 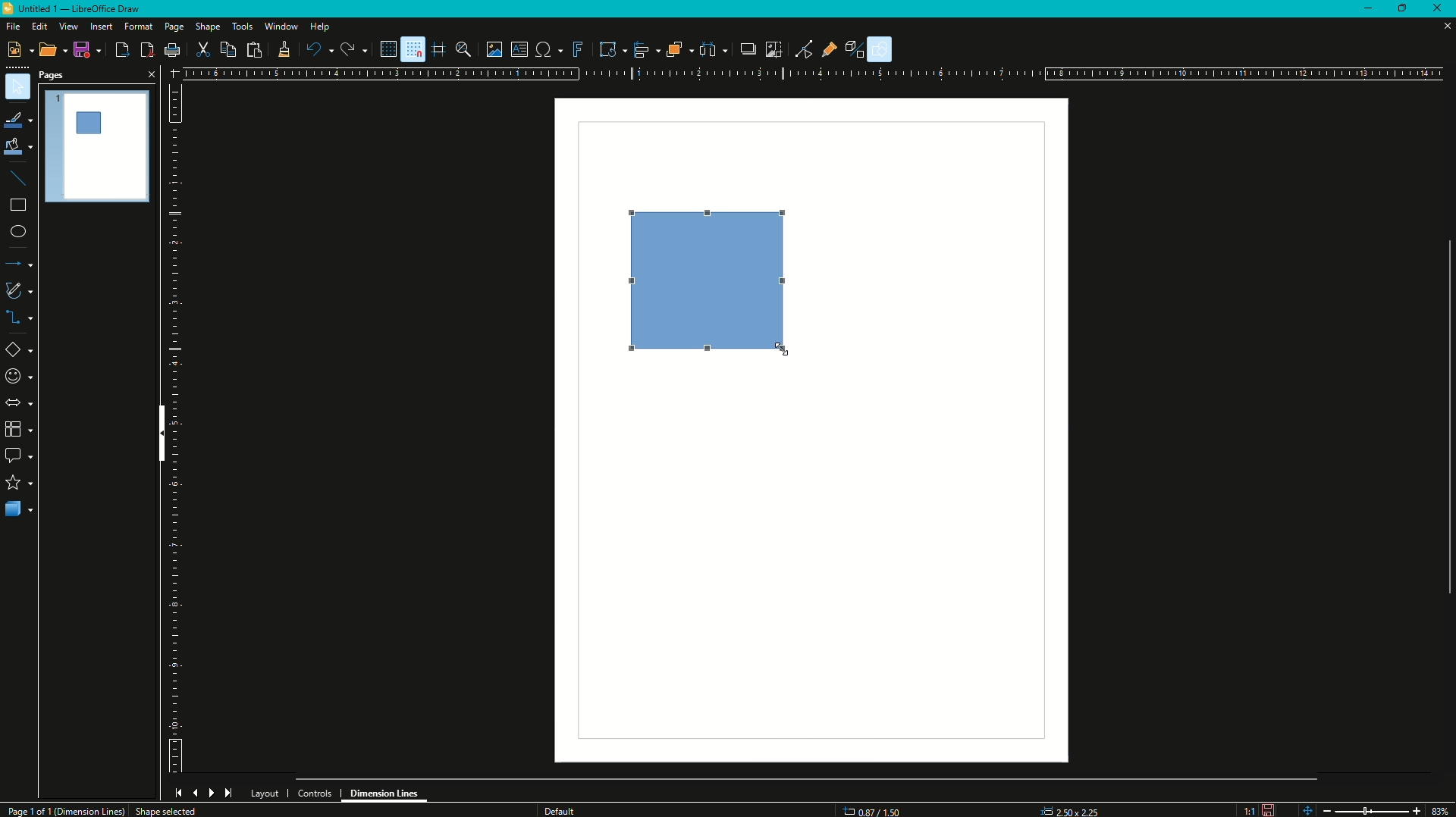 What do you see at coordinates (284, 50) in the screenshot?
I see `Clone Formatting` at bounding box center [284, 50].